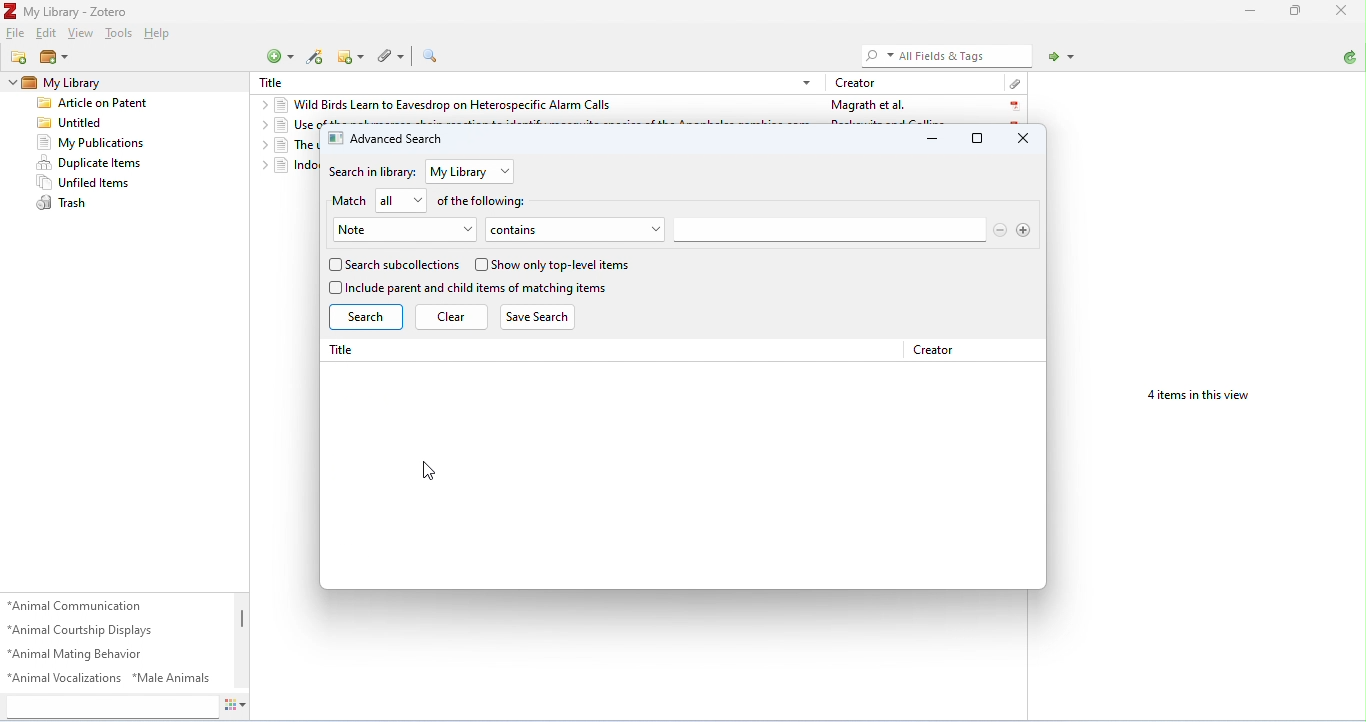 The height and width of the screenshot is (722, 1366). What do you see at coordinates (12, 82) in the screenshot?
I see `drop-down` at bounding box center [12, 82].